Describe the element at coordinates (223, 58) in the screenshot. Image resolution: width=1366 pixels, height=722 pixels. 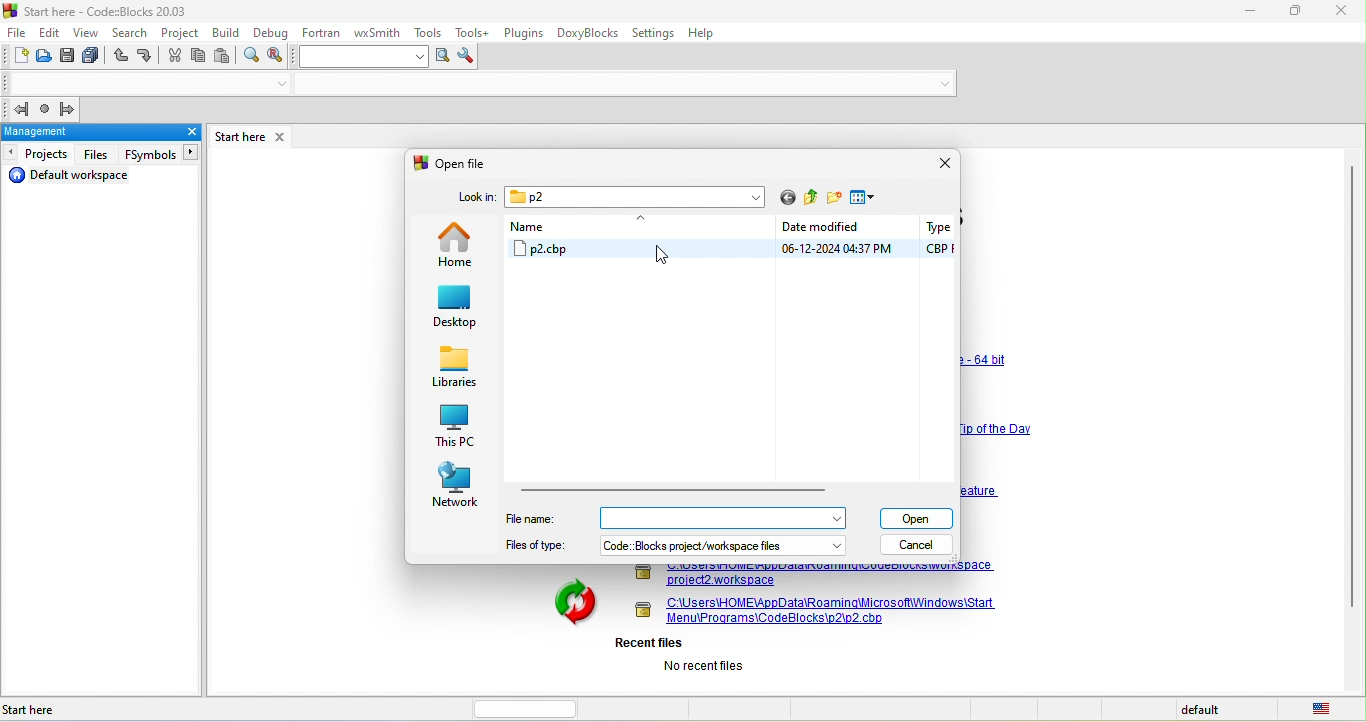
I see `paste` at that location.